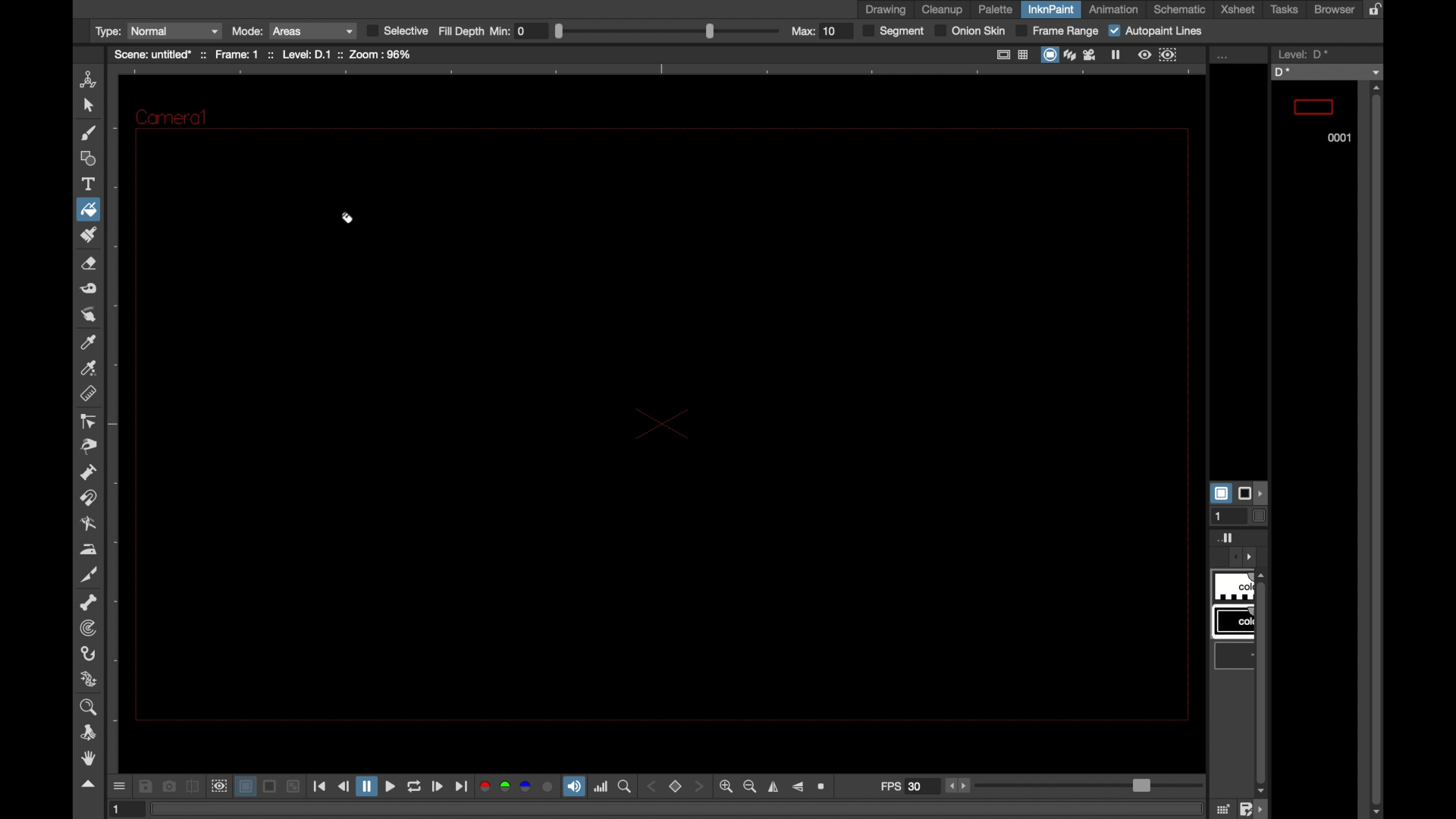 This screenshot has width=1456, height=819. I want to click on black background, so click(657, 421).